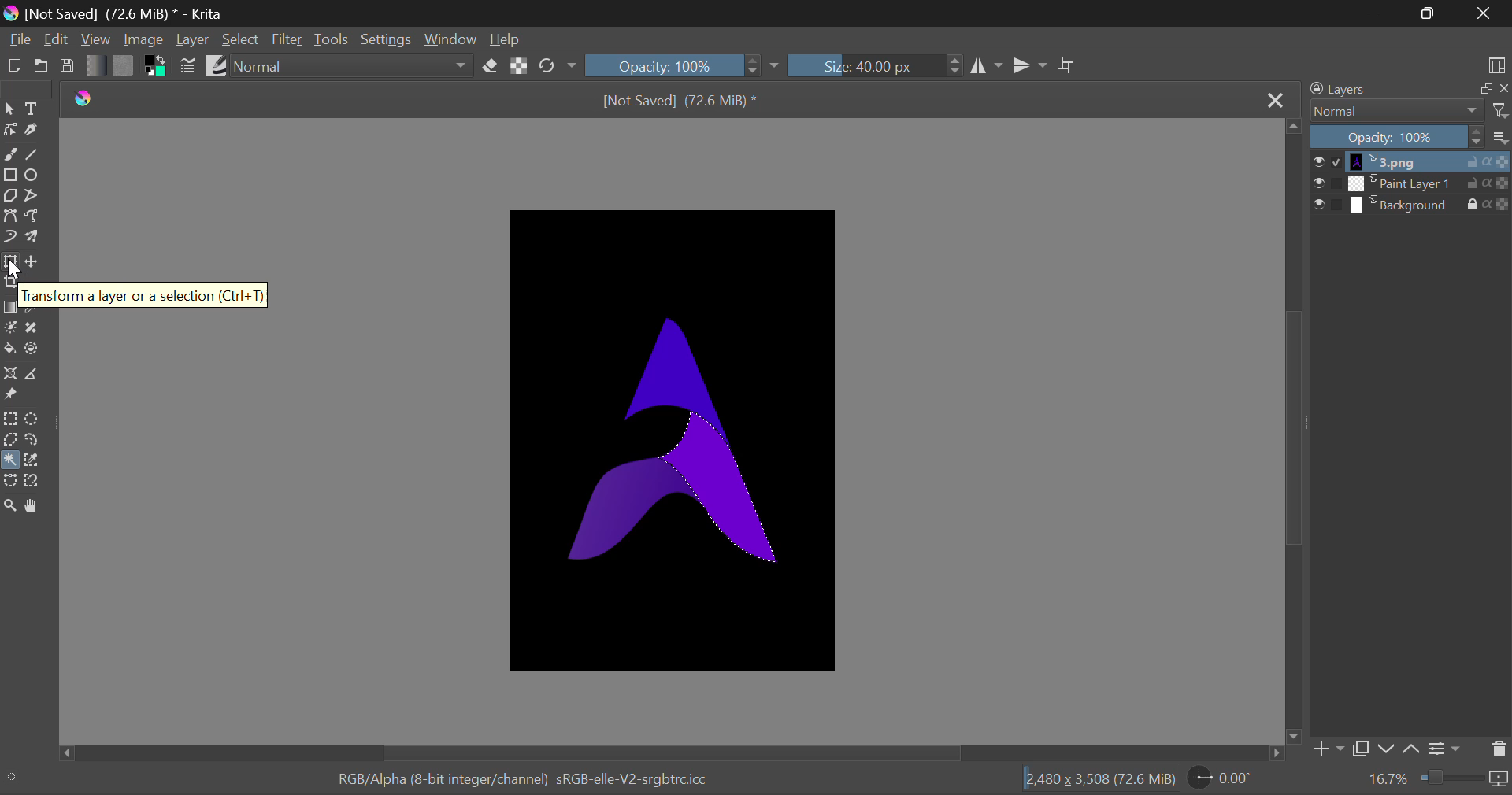 Image resolution: width=1512 pixels, height=795 pixels. I want to click on Crop, so click(1069, 67).